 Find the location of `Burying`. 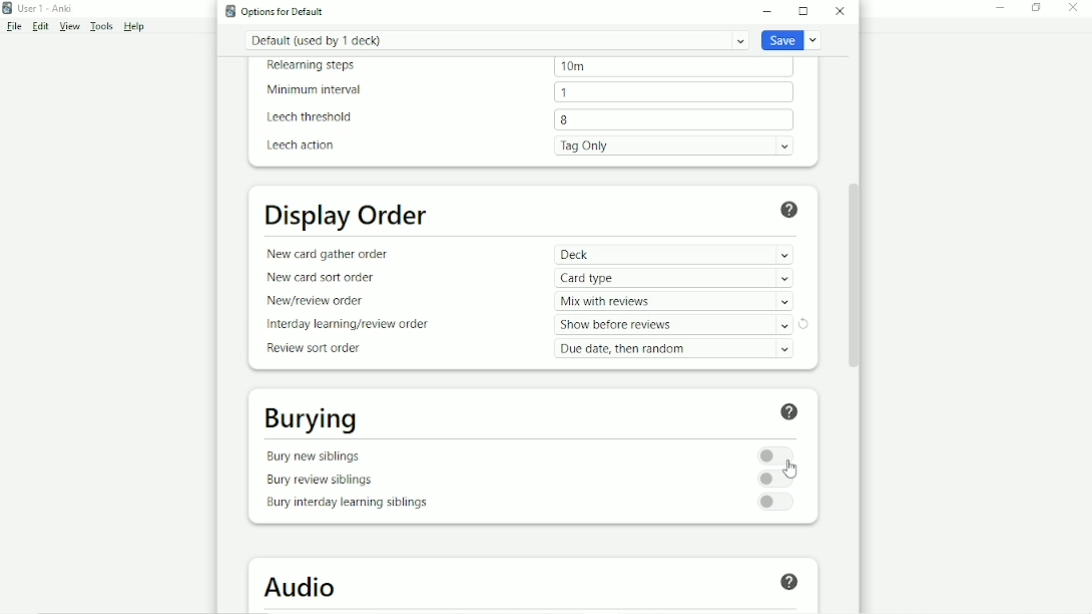

Burying is located at coordinates (313, 421).